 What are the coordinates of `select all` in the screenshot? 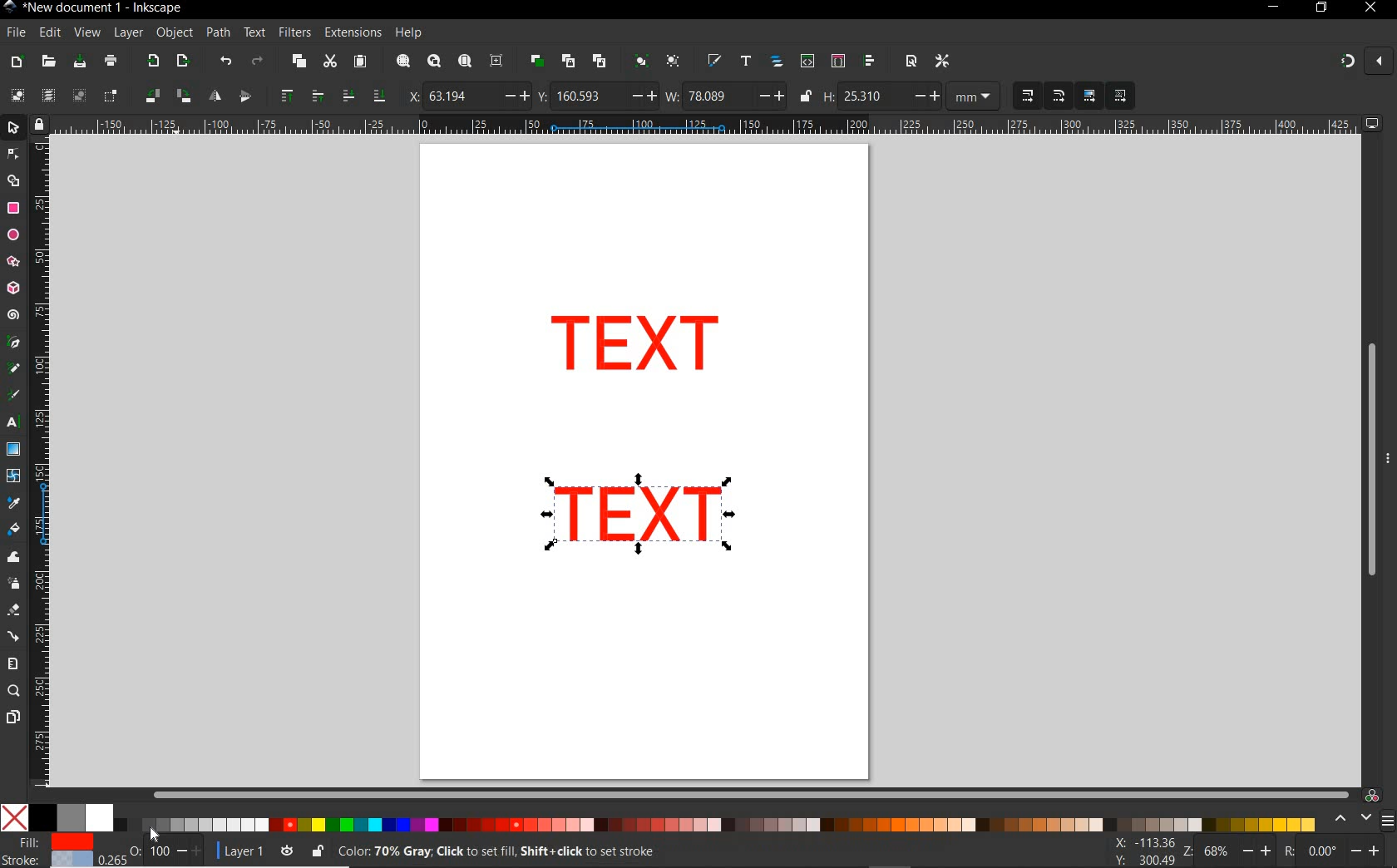 It's located at (17, 96).